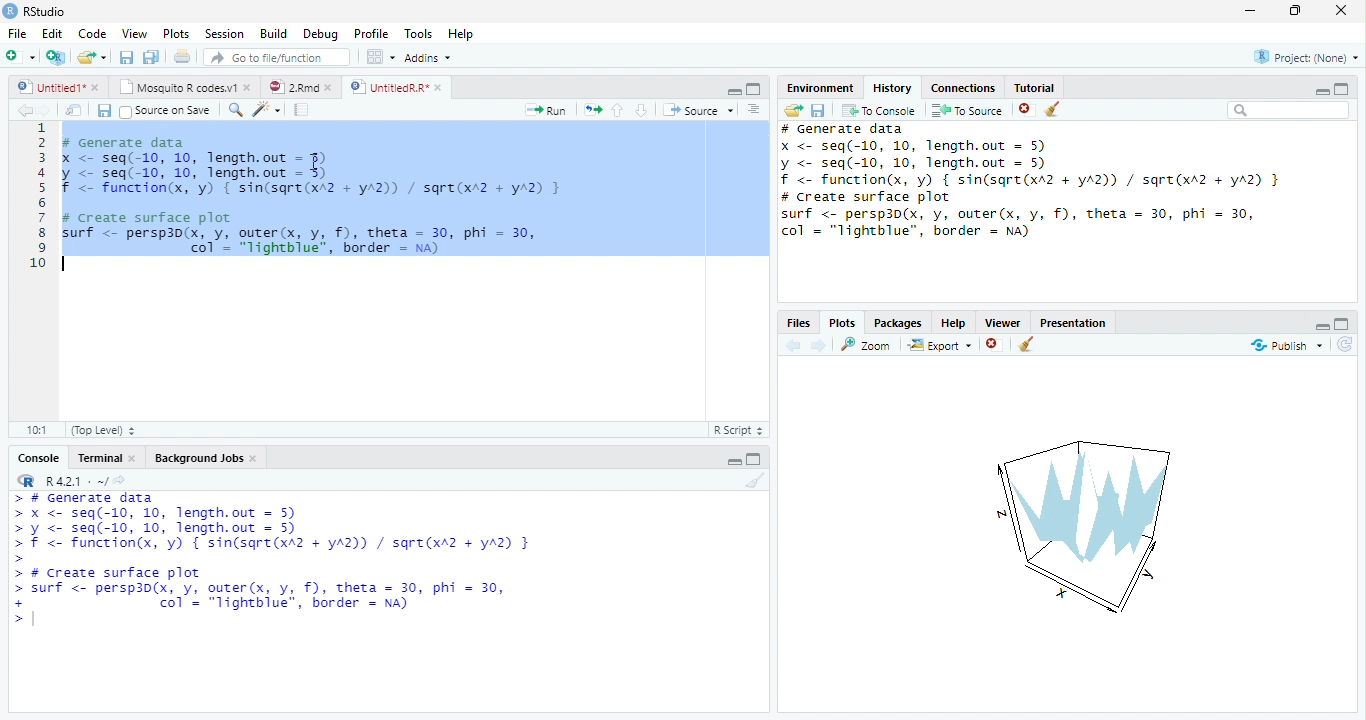 The height and width of the screenshot is (720, 1366). I want to click on Refresh current plot, so click(1347, 345).